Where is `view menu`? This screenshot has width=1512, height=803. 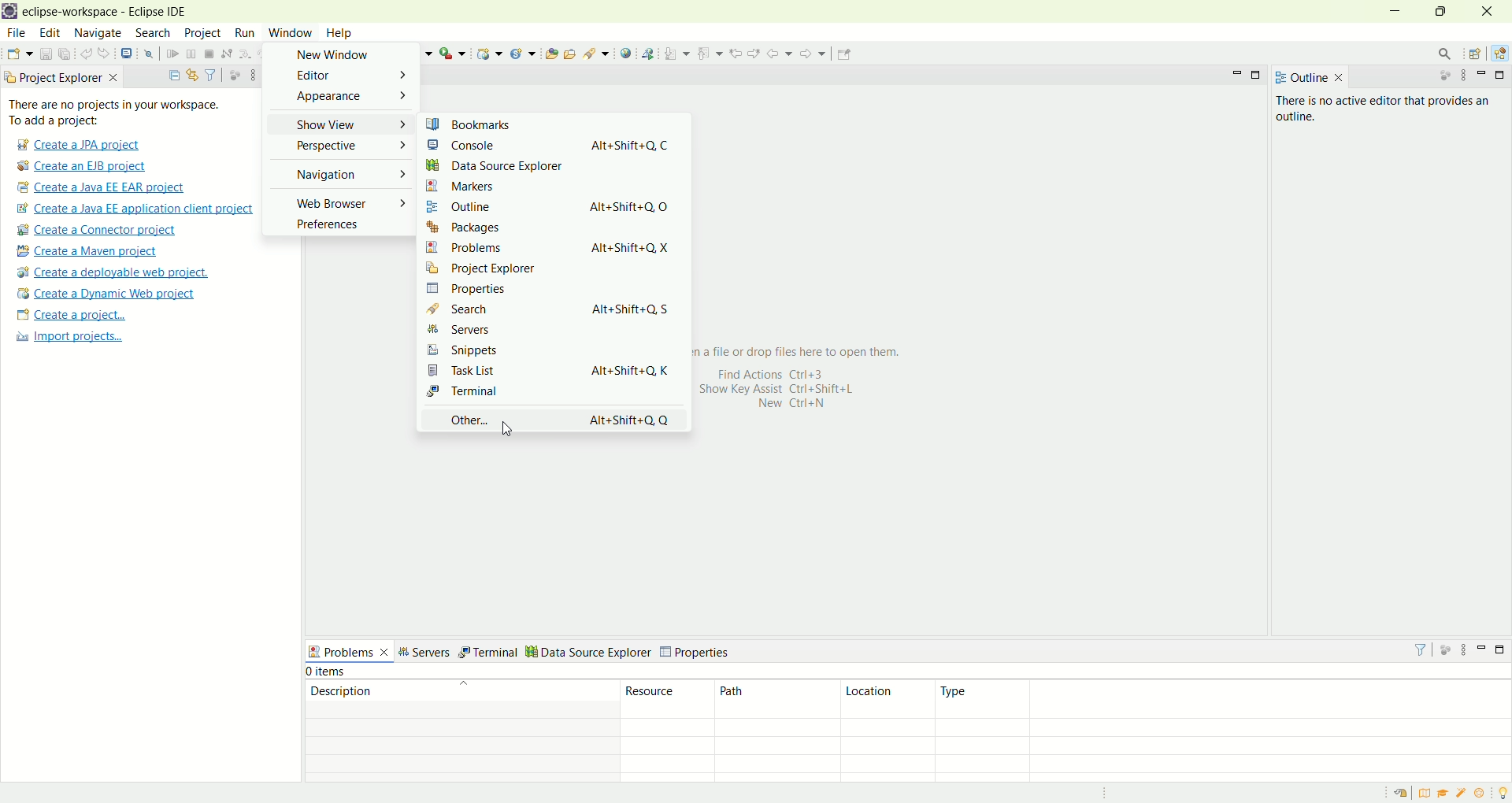 view menu is located at coordinates (1466, 650).